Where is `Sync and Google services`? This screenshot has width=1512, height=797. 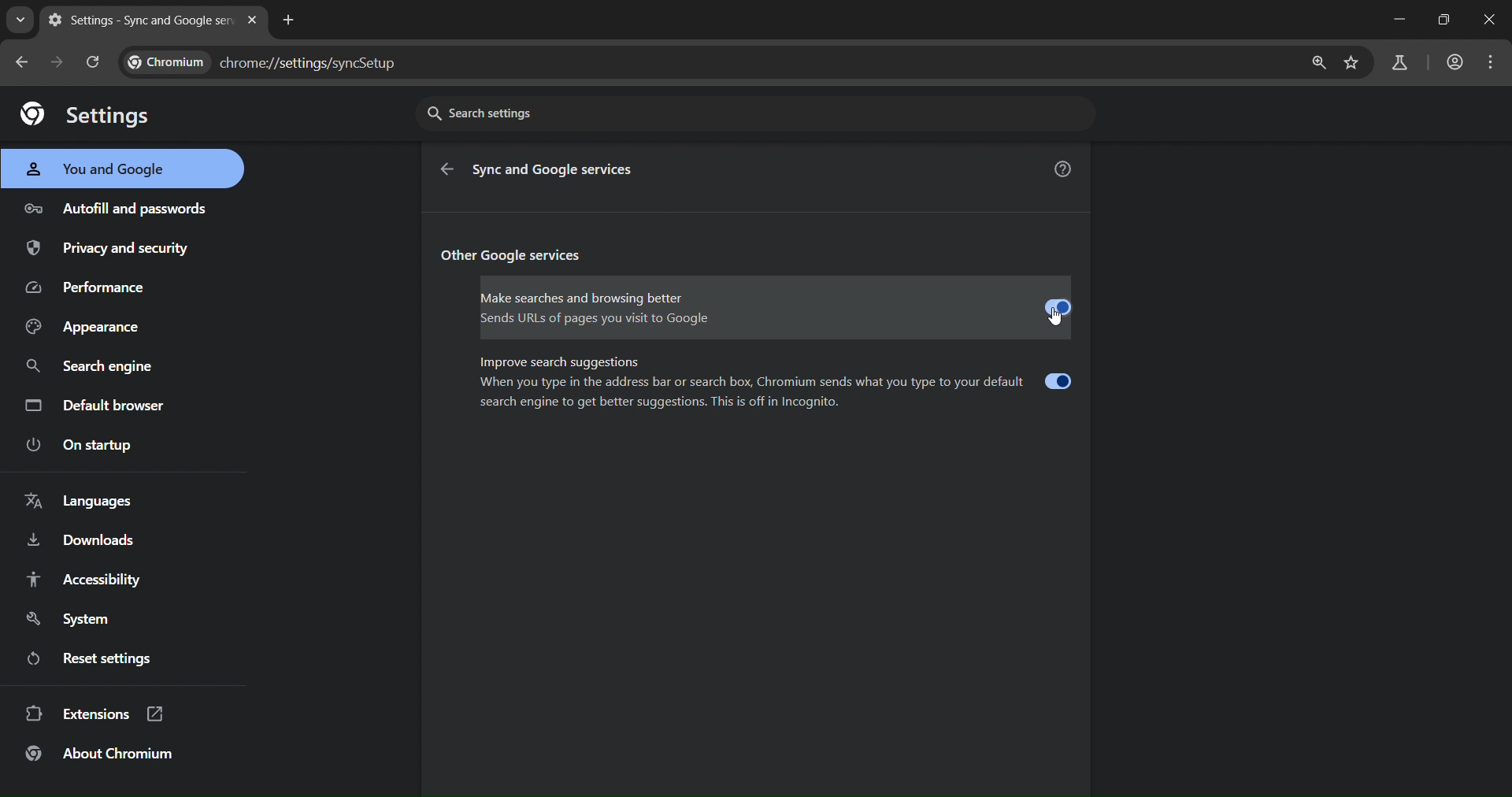
Sync and Google services is located at coordinates (557, 170).